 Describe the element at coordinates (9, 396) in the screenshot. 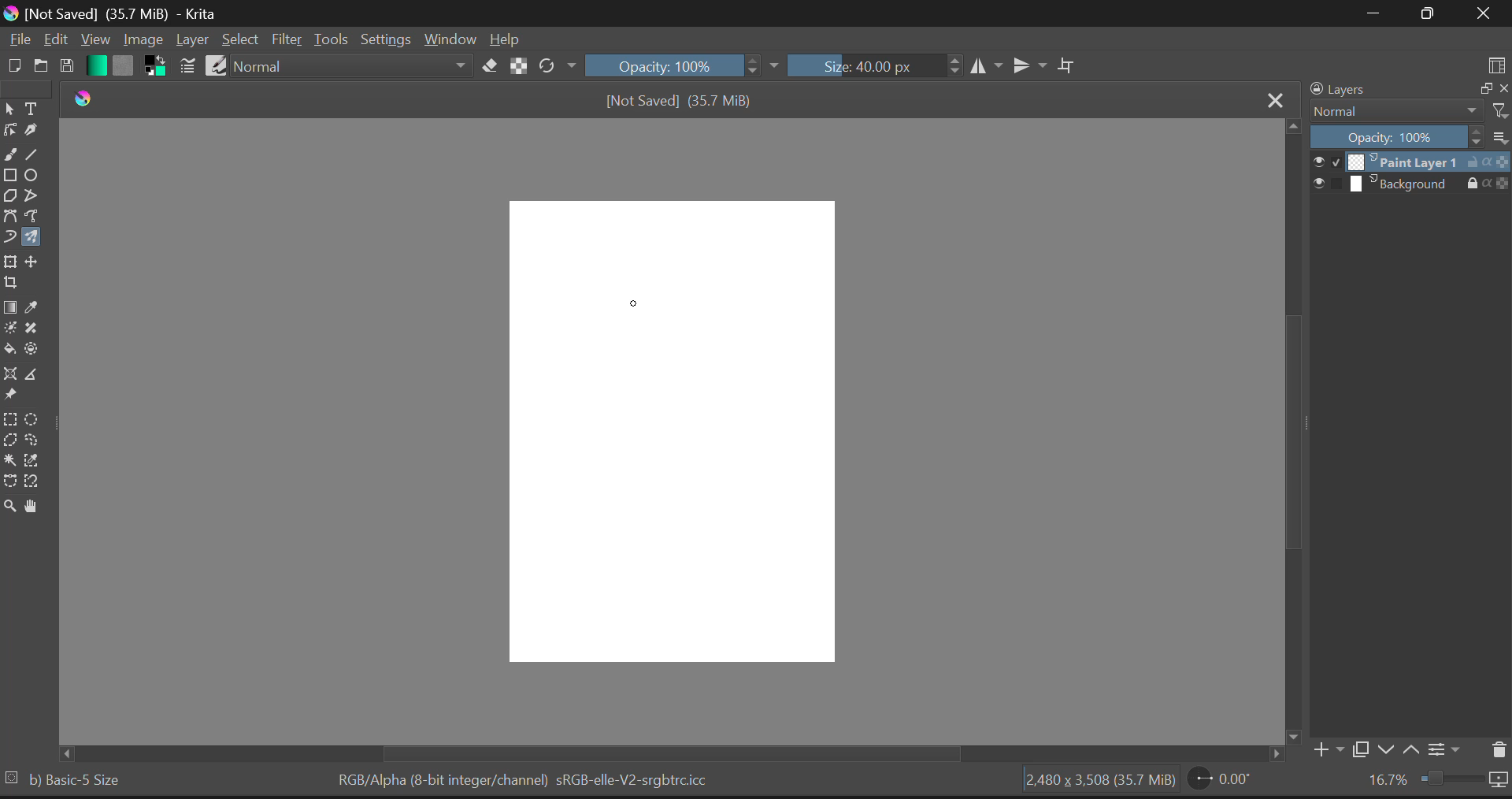

I see `Reference Images` at that location.